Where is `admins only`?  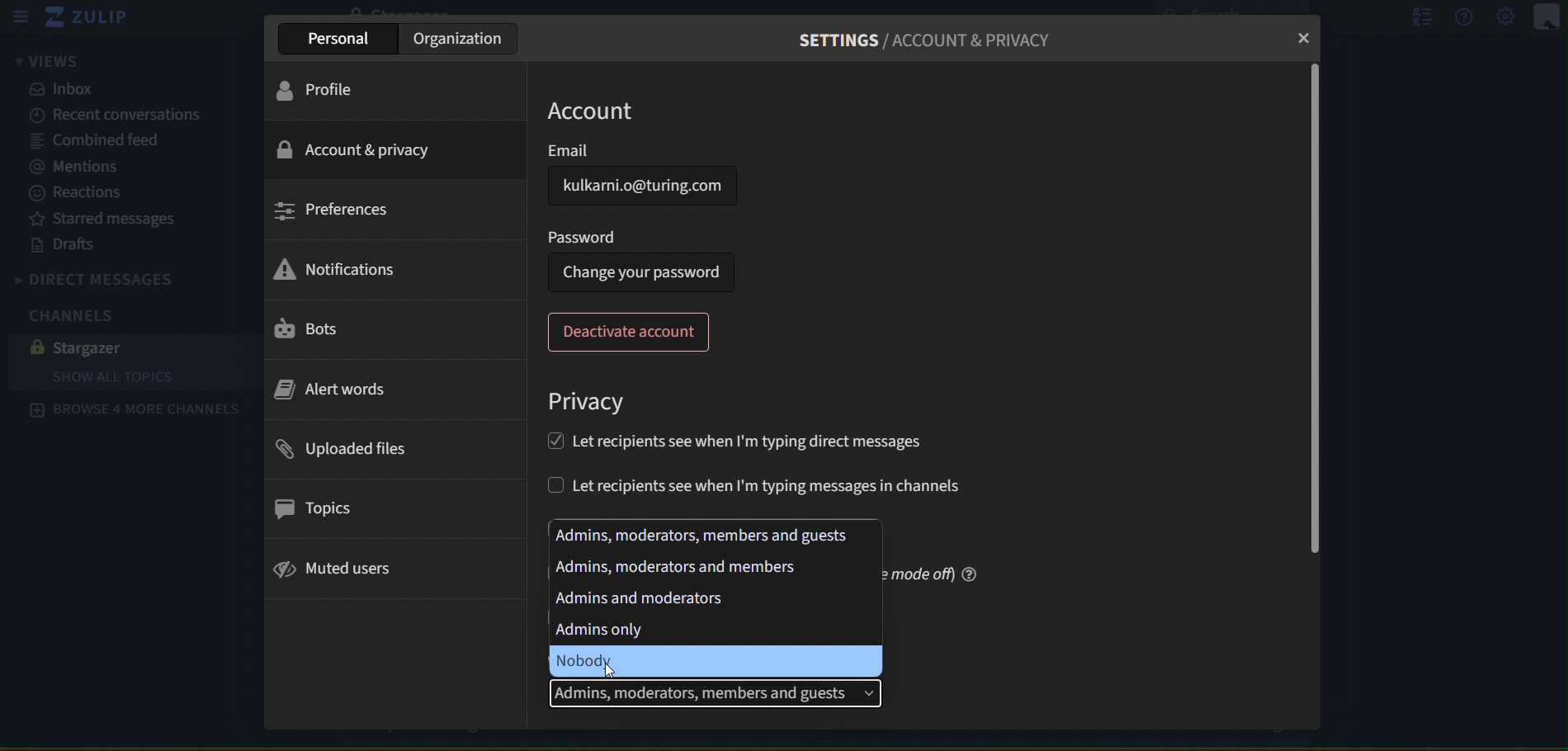 admins only is located at coordinates (701, 630).